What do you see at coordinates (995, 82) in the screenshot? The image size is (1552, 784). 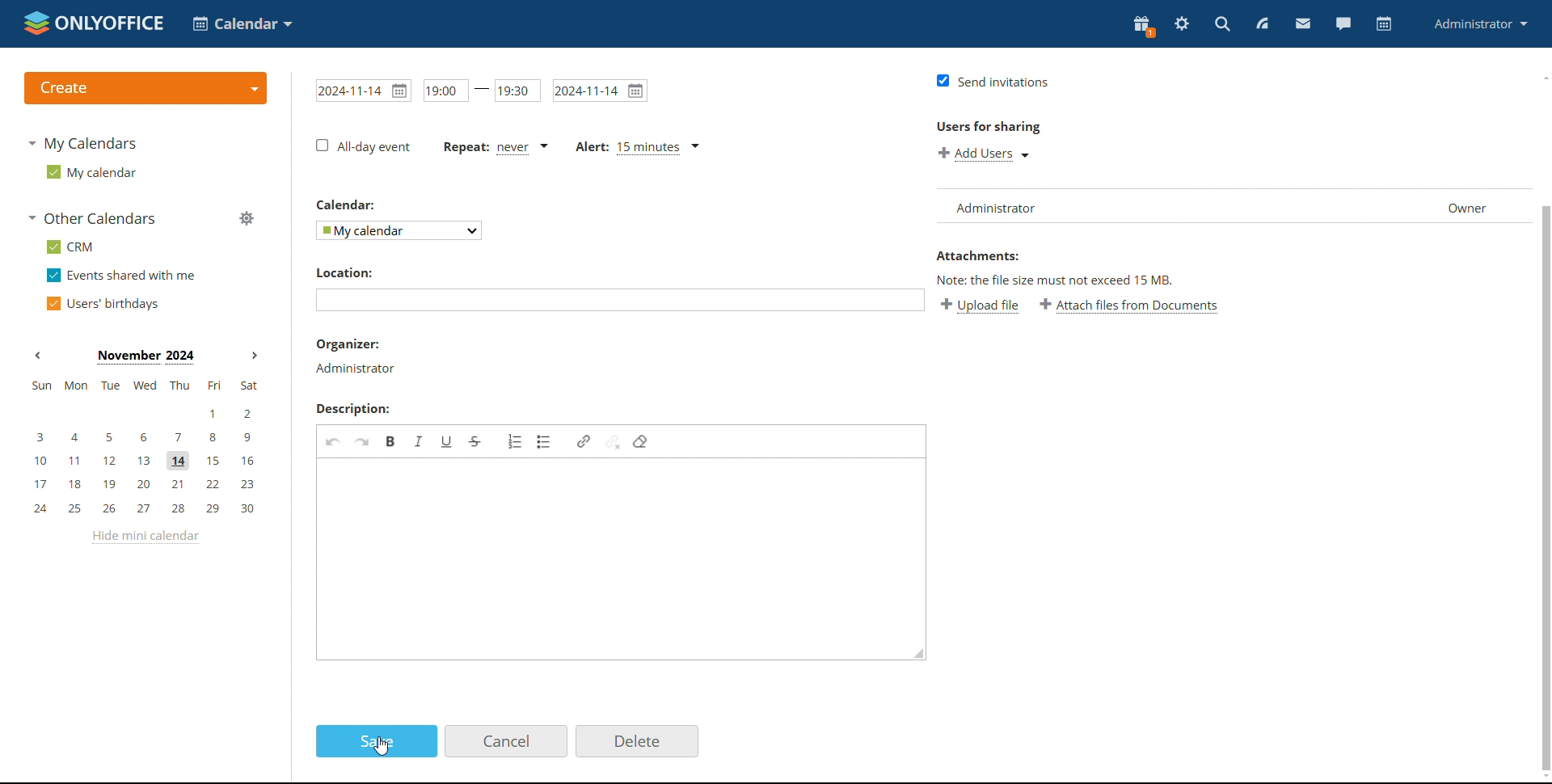 I see `send invitations` at bounding box center [995, 82].